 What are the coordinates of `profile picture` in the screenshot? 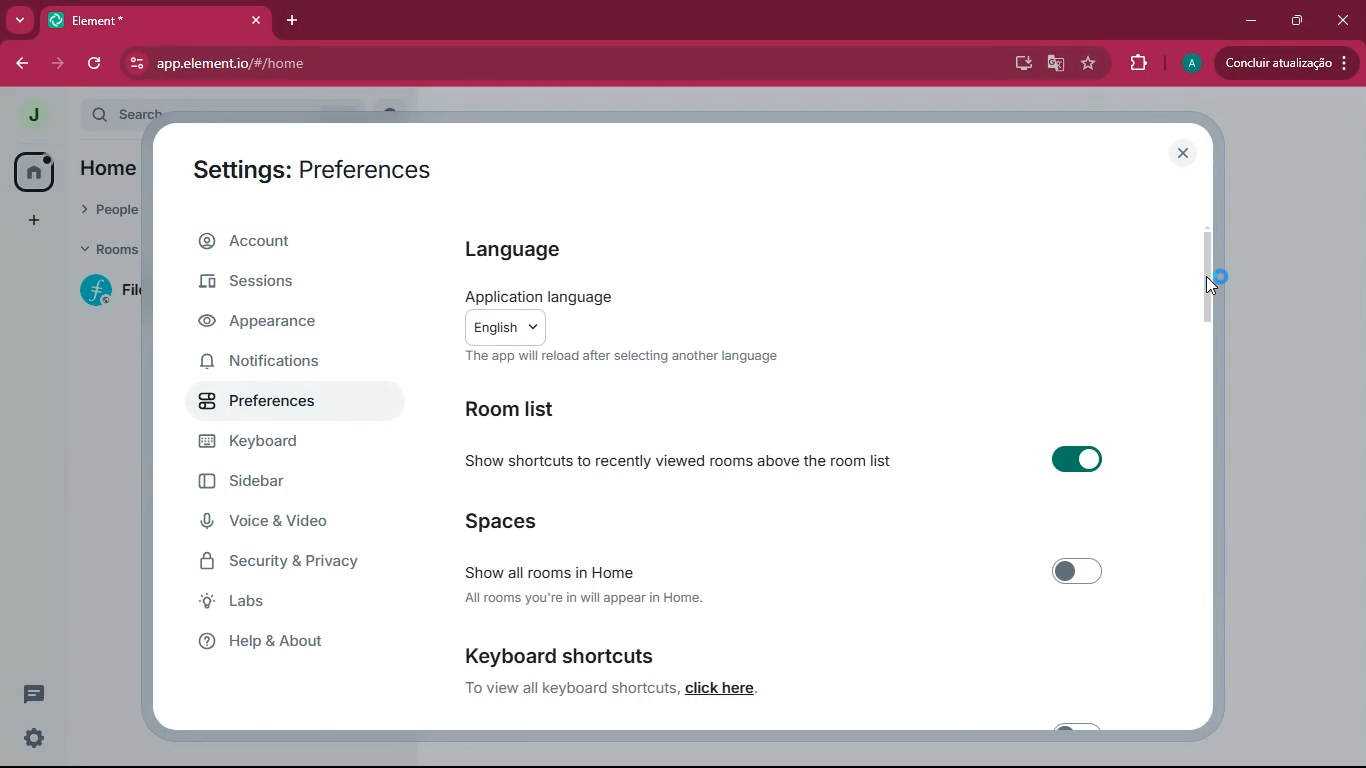 It's located at (36, 116).